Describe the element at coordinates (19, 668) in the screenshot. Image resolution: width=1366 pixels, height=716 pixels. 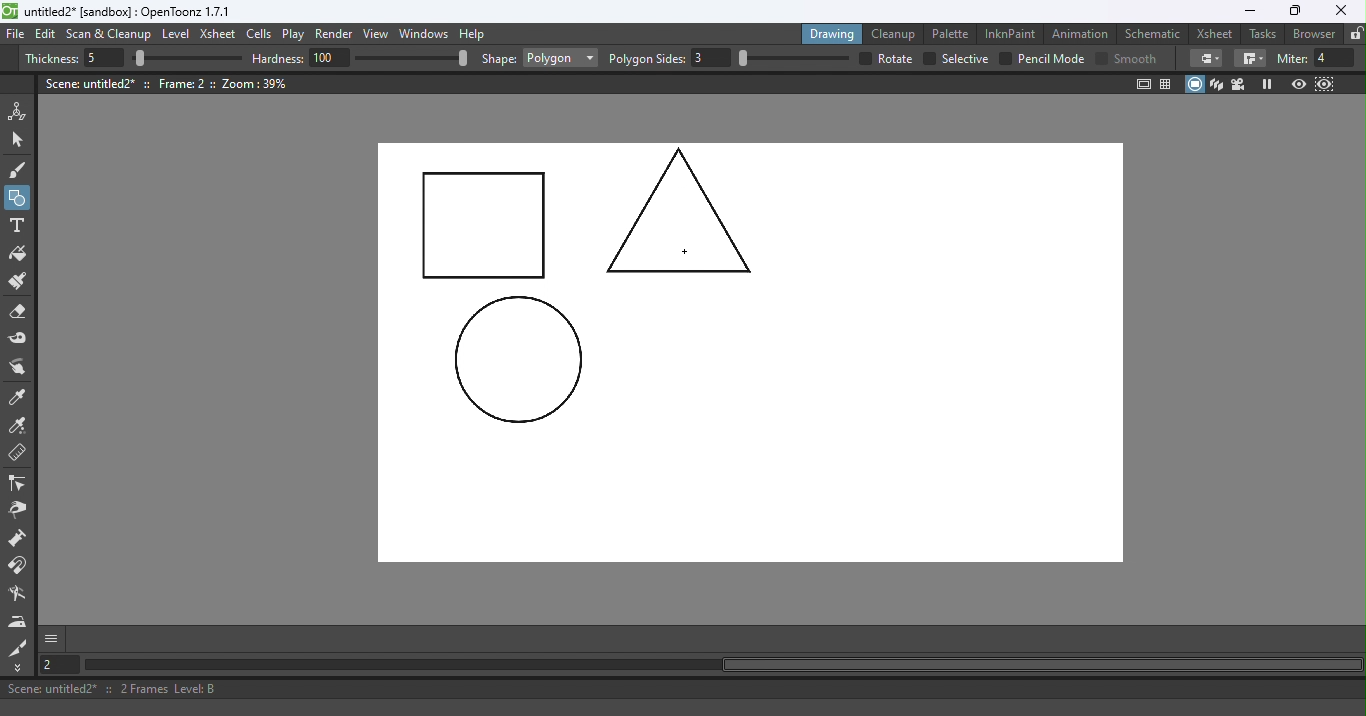
I see `More Tools` at that location.